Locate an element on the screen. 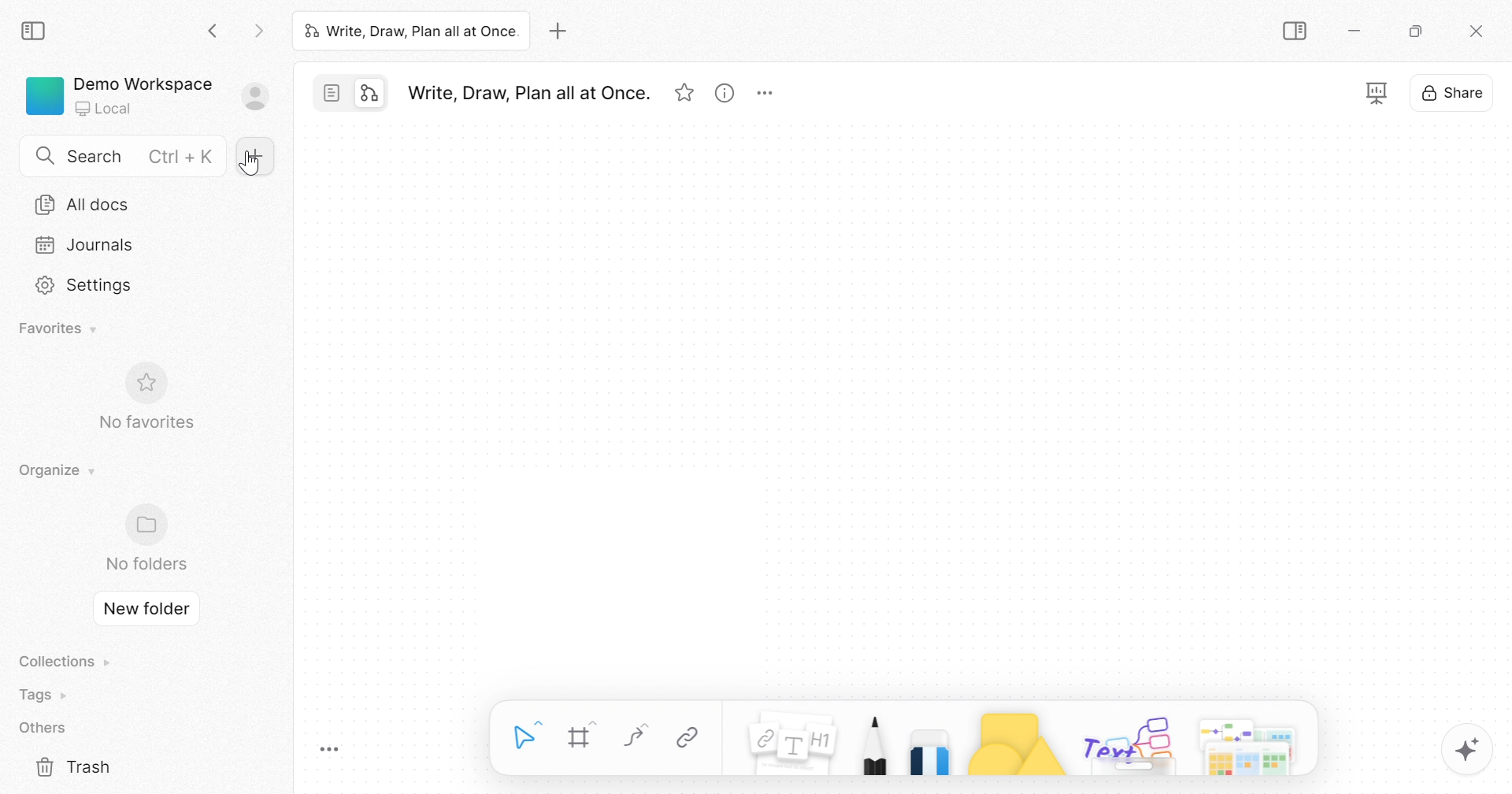 The height and width of the screenshot is (794, 1512). No folders is located at coordinates (146, 563).